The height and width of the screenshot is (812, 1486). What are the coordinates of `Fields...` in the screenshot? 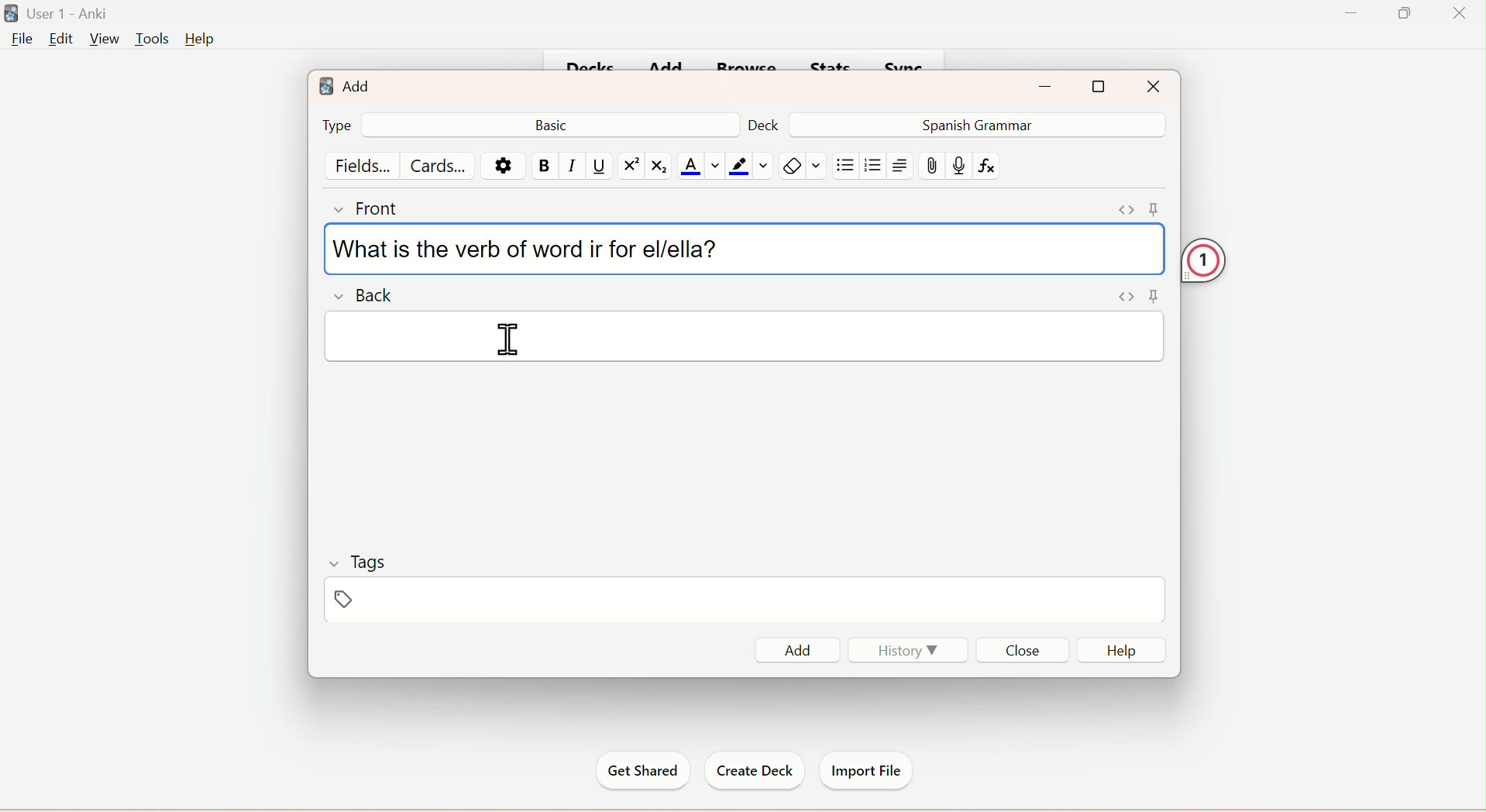 It's located at (364, 164).